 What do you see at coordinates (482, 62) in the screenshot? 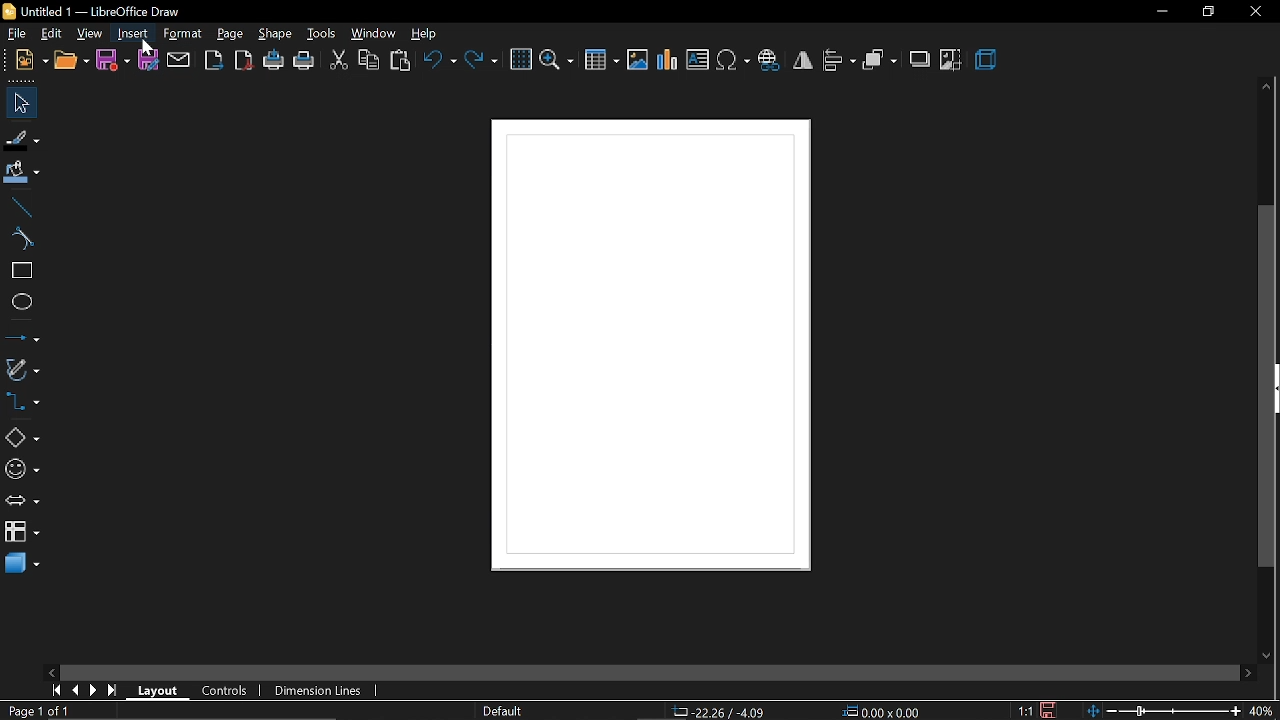
I see `redo` at bounding box center [482, 62].